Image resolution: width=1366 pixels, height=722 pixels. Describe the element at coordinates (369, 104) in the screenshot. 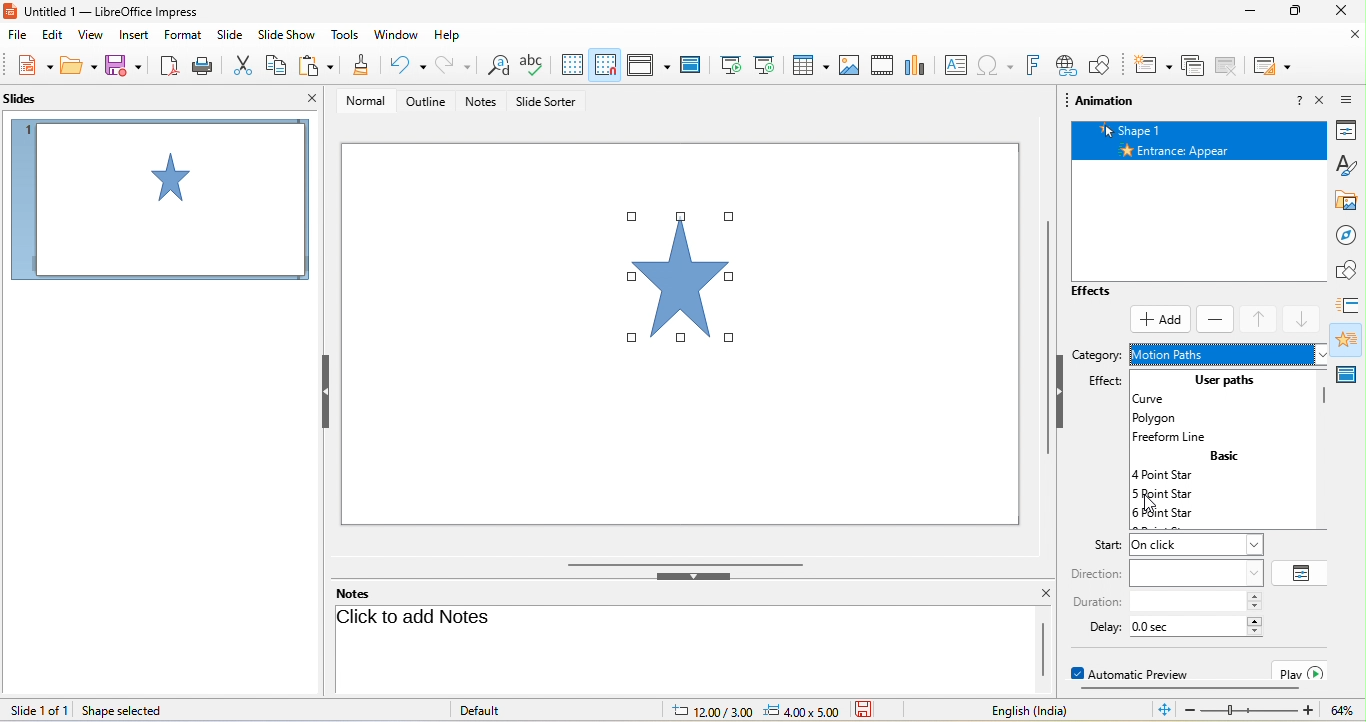

I see `normal` at that location.